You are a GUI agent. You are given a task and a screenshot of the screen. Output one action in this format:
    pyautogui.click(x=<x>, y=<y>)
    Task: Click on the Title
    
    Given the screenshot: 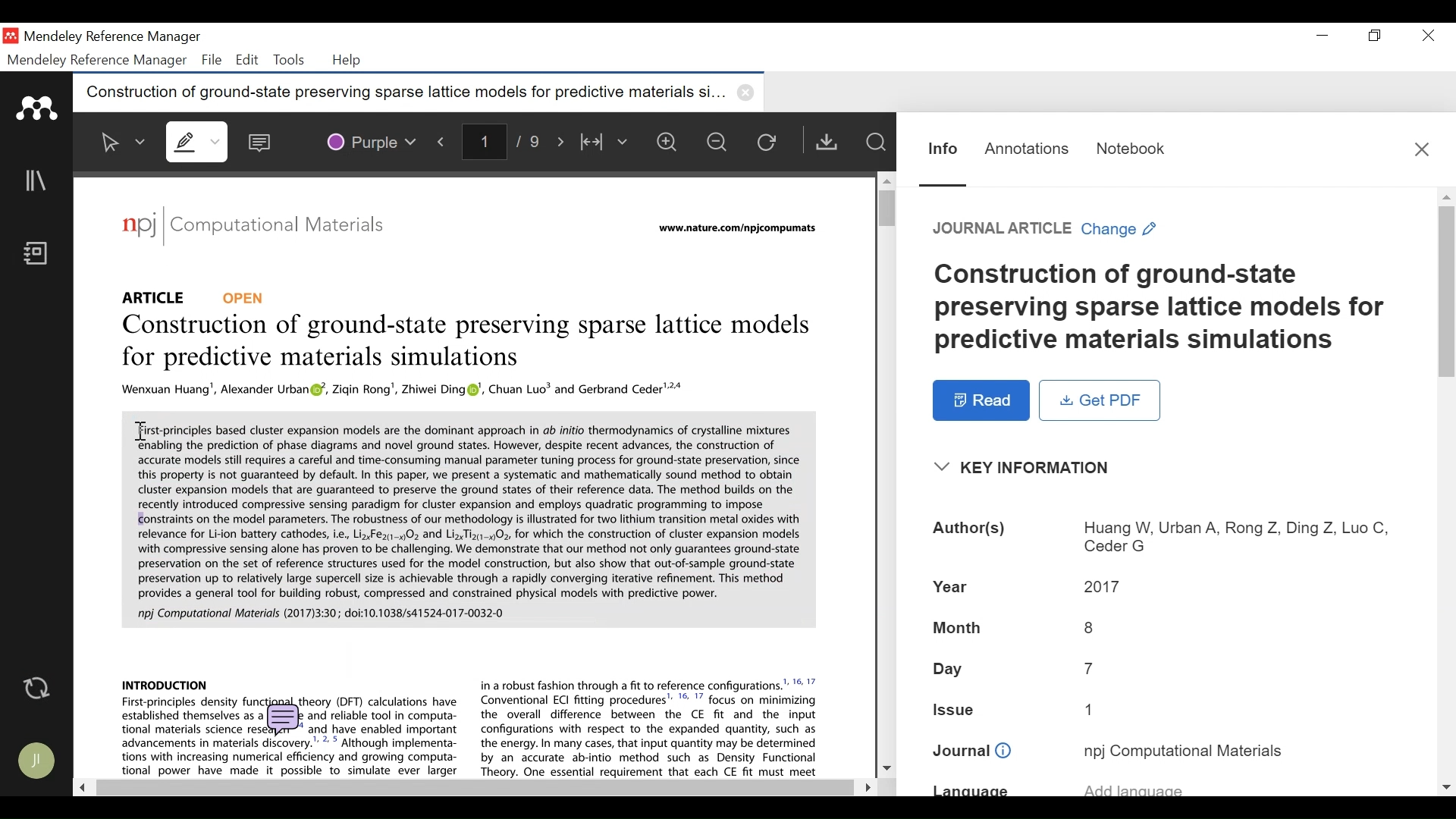 What is the action you would take?
    pyautogui.click(x=1163, y=308)
    